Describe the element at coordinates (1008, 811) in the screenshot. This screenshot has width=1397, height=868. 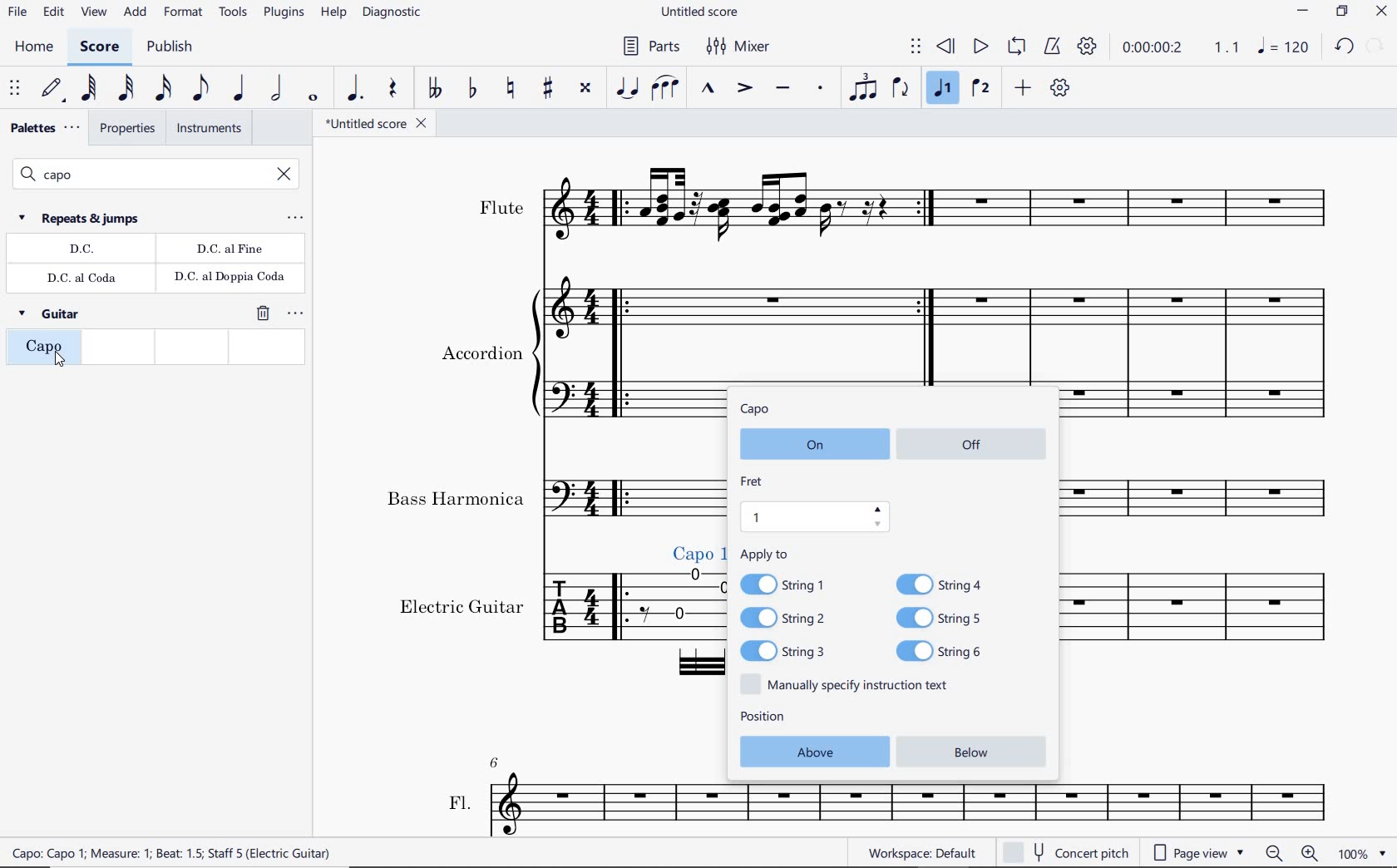
I see `FL` at that location.